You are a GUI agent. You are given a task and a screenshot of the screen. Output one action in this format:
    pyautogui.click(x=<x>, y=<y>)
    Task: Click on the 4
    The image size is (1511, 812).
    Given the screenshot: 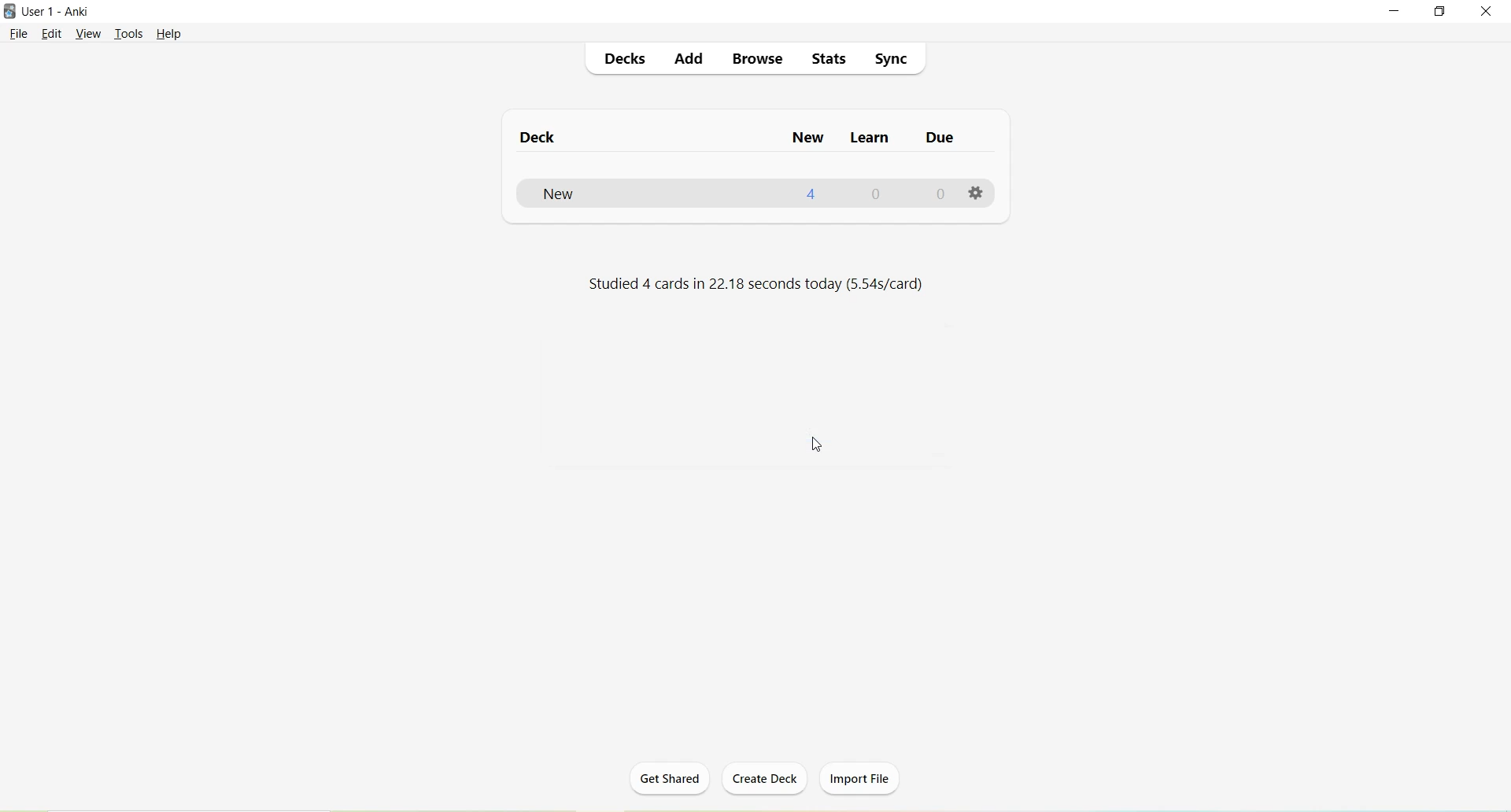 What is the action you would take?
    pyautogui.click(x=812, y=194)
    